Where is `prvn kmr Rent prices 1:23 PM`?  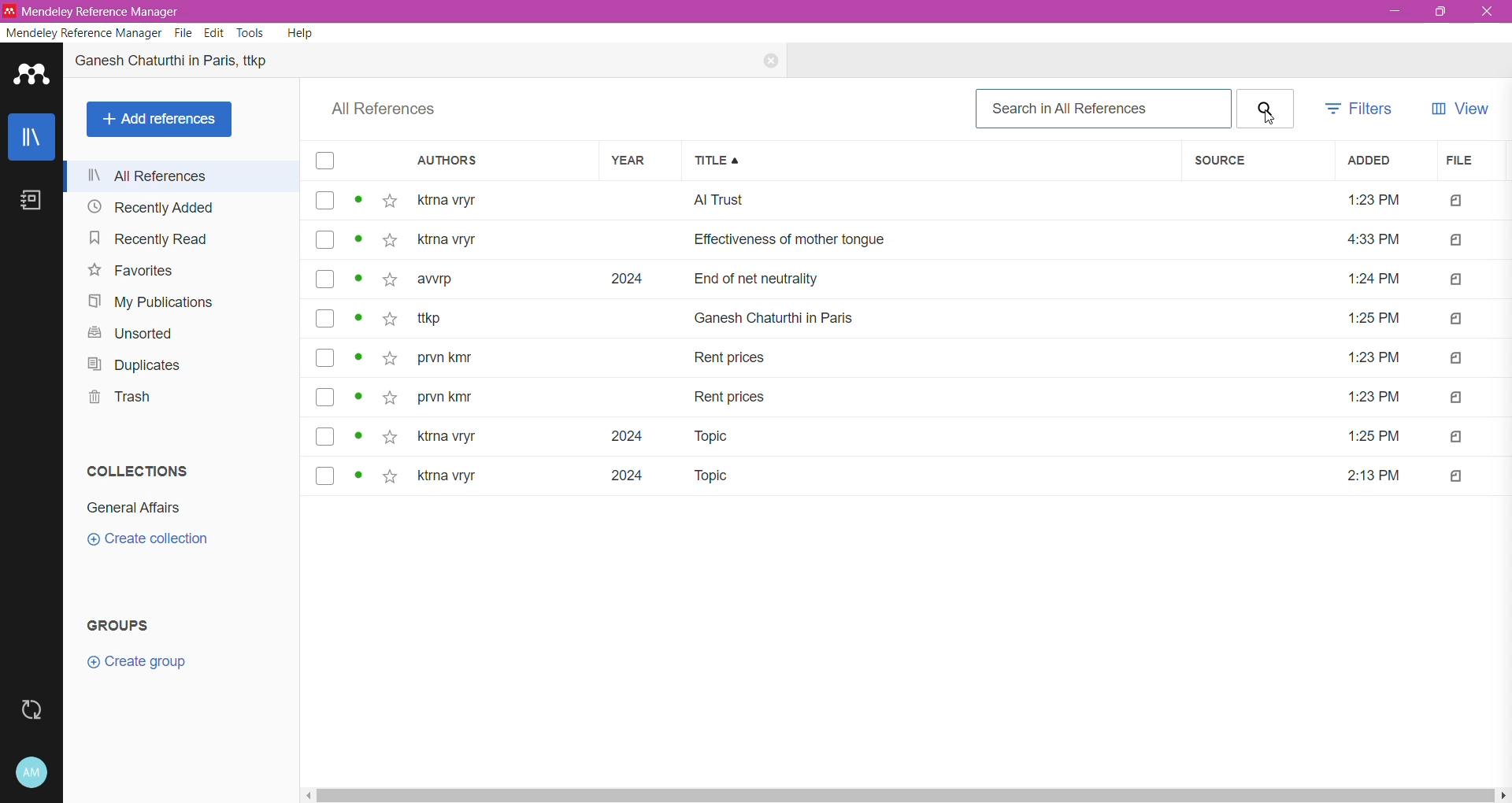
prvn kmr Rent prices 1:23 PM is located at coordinates (910, 361).